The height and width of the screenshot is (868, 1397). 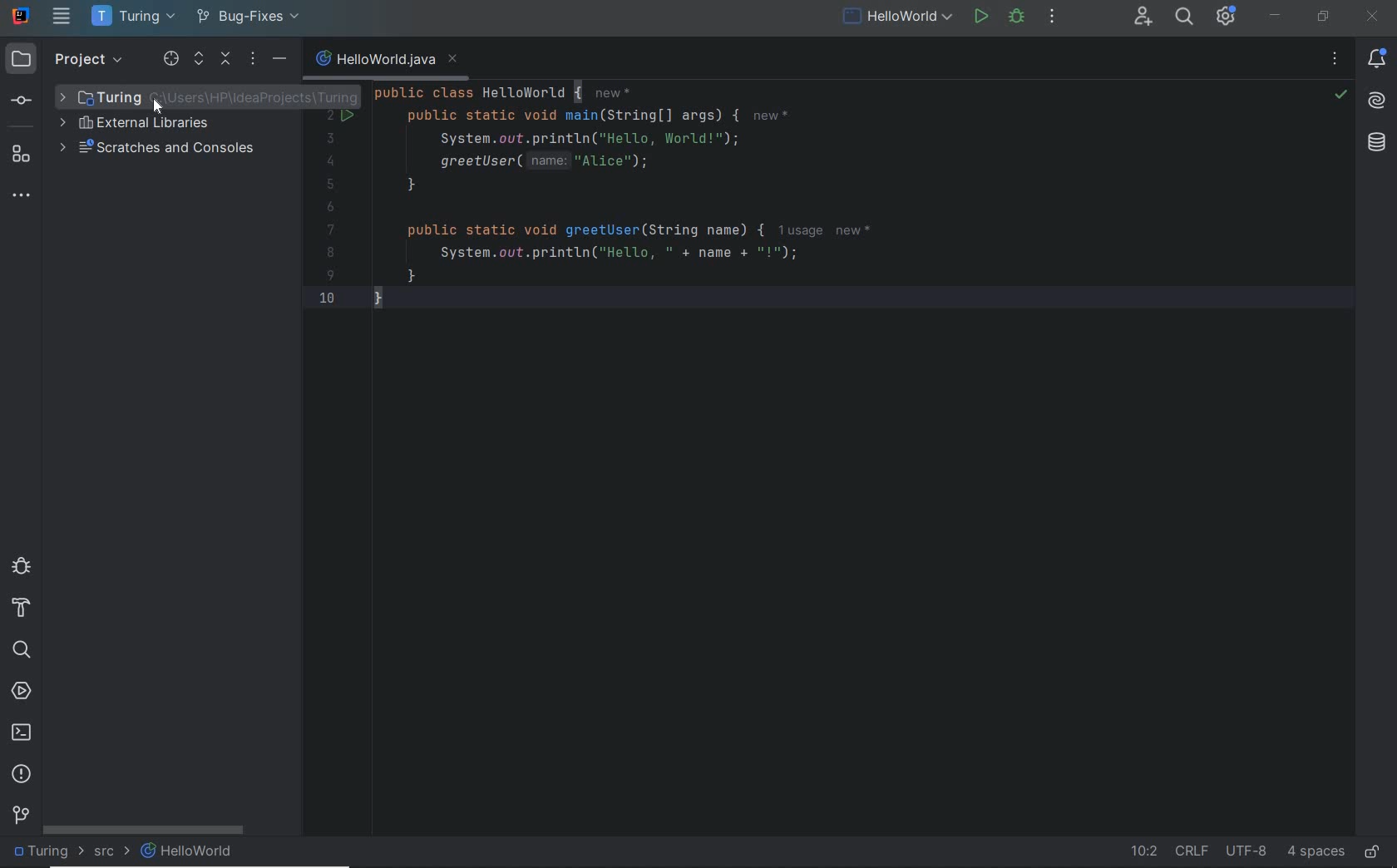 I want to click on 4, so click(x=330, y=161).